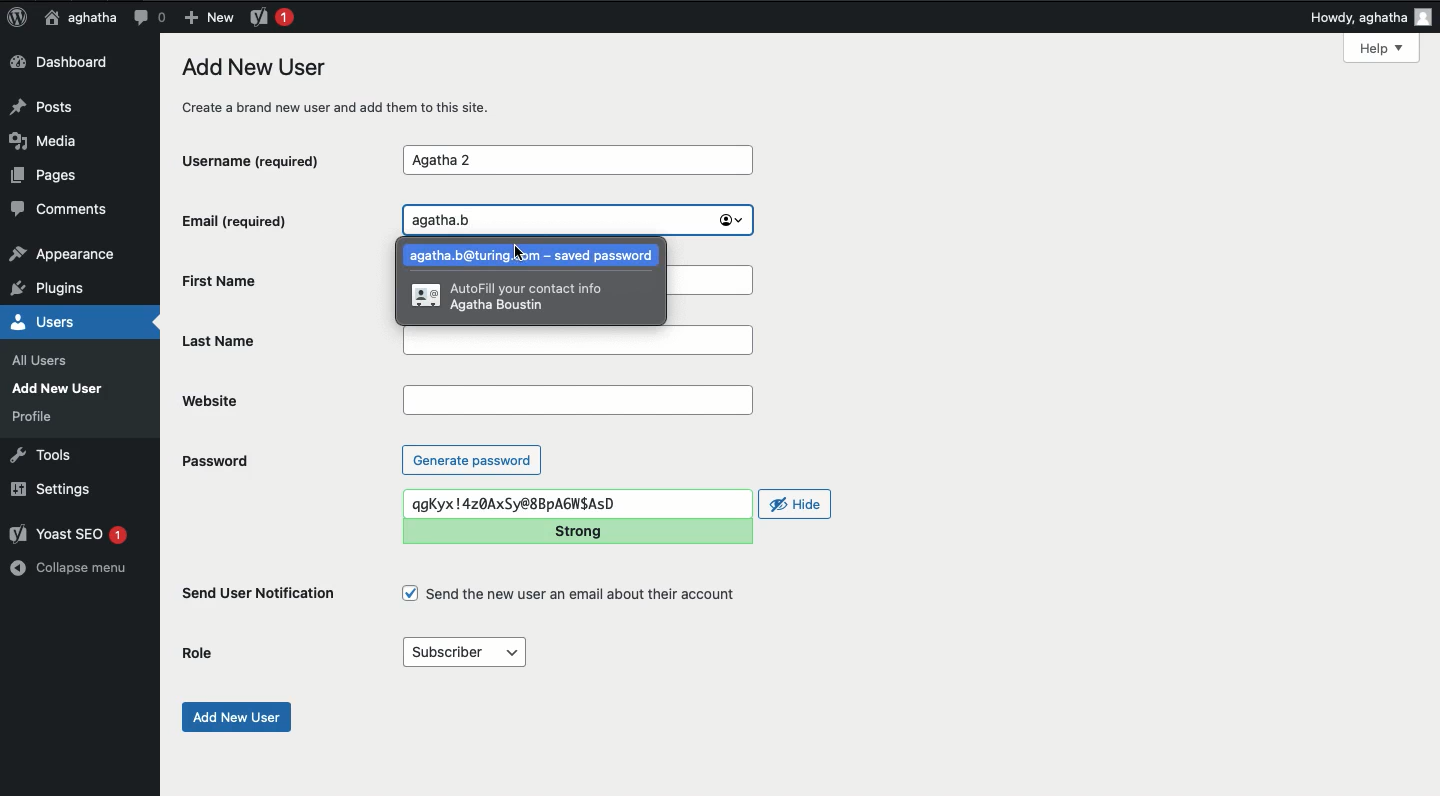  What do you see at coordinates (270, 16) in the screenshot?
I see `Yoast` at bounding box center [270, 16].